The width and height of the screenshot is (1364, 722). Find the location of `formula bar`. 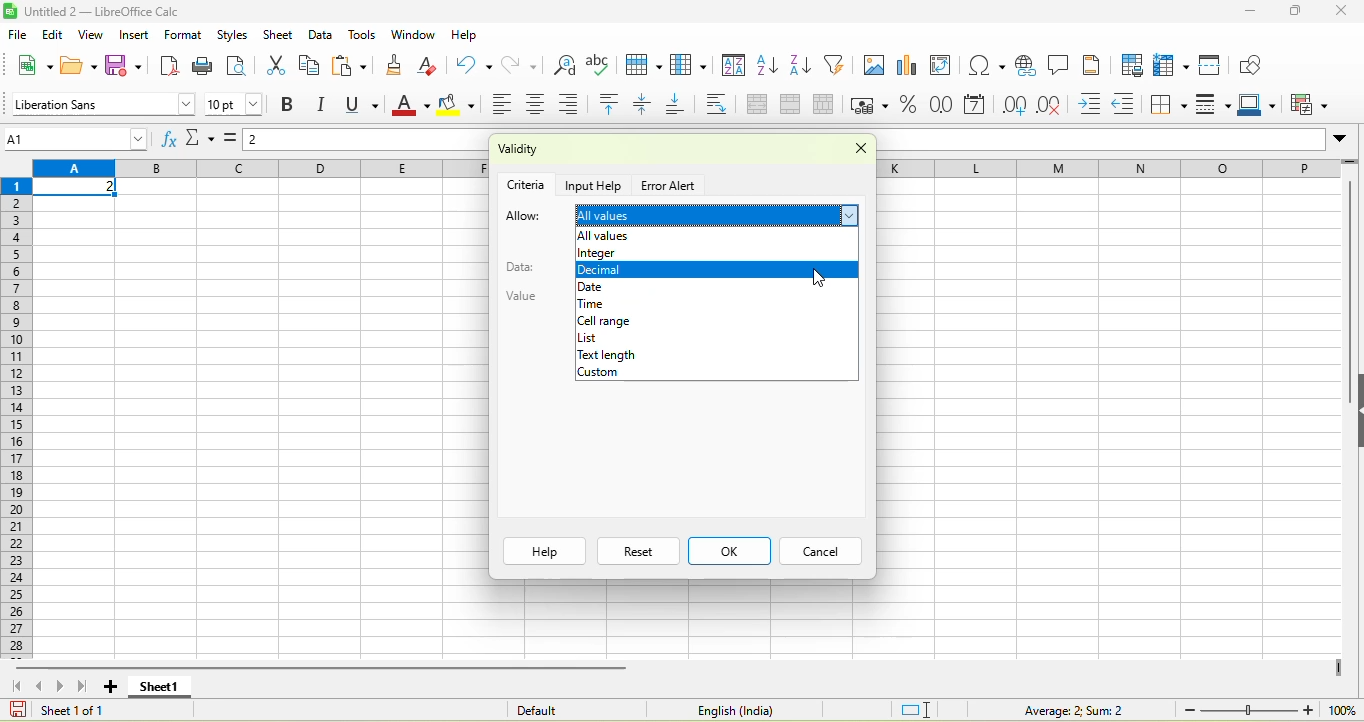

formula bar is located at coordinates (368, 142).